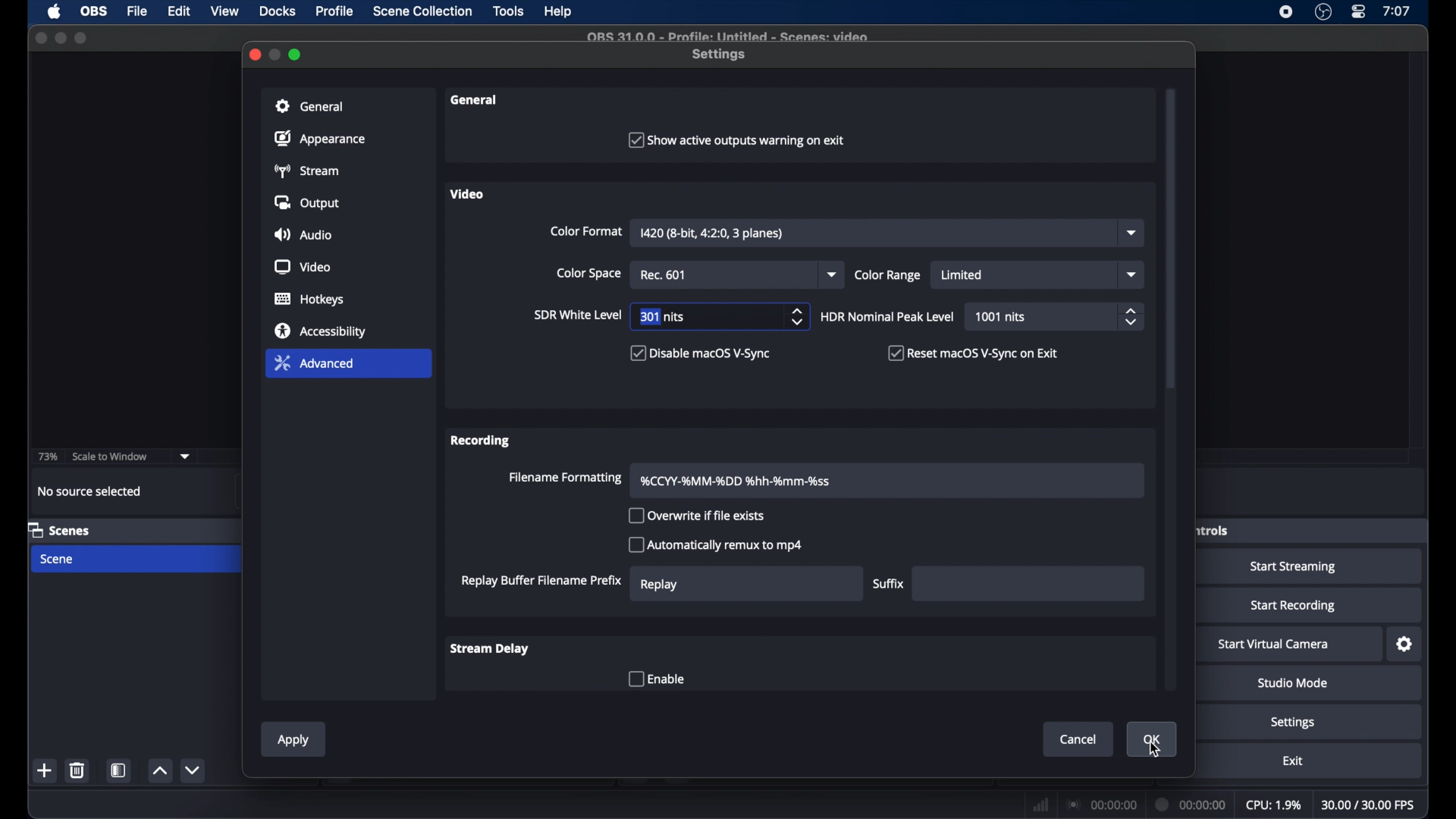 This screenshot has width=1456, height=819. What do you see at coordinates (558, 11) in the screenshot?
I see `help` at bounding box center [558, 11].